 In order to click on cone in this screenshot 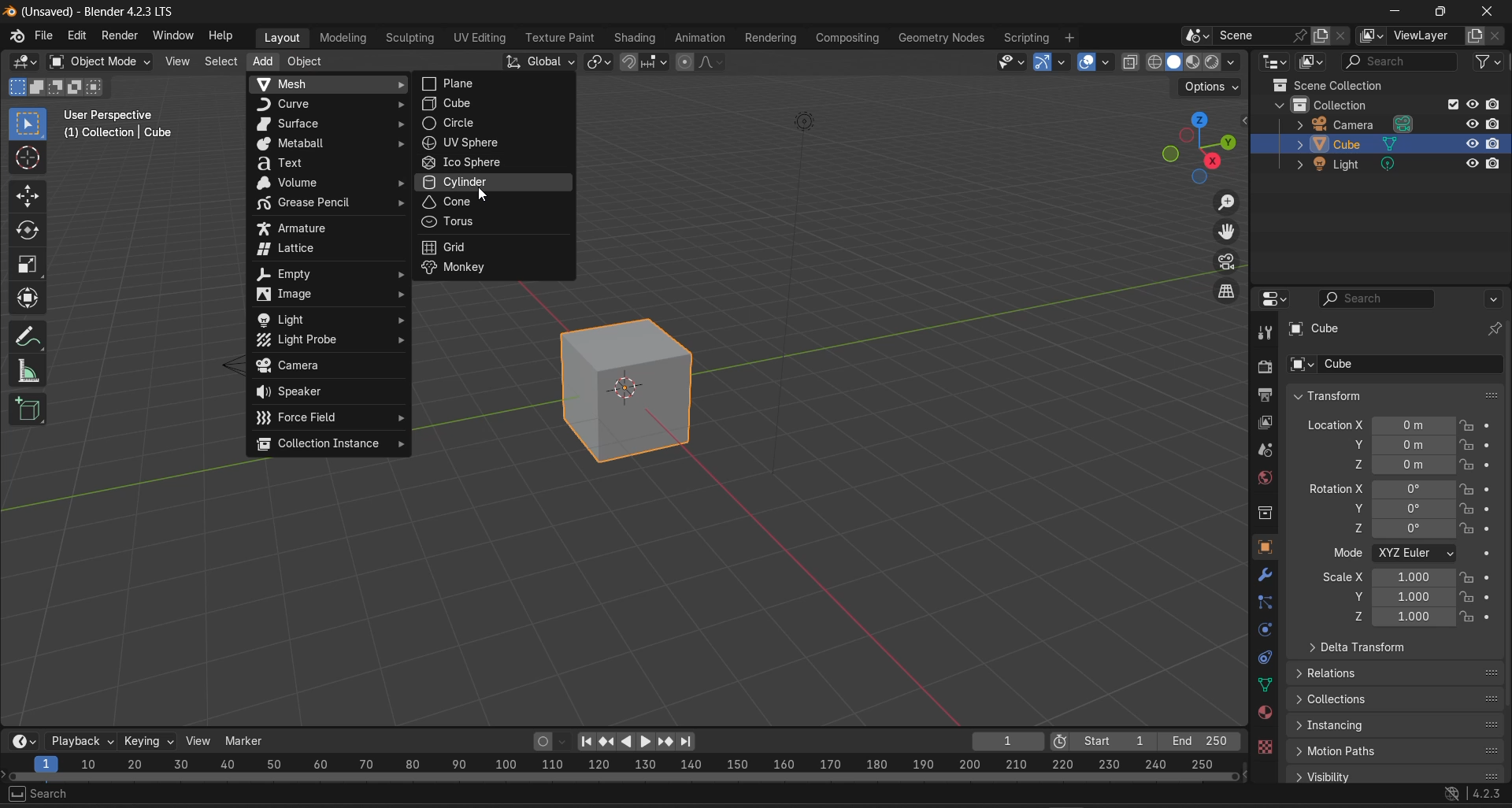, I will do `click(495, 202)`.